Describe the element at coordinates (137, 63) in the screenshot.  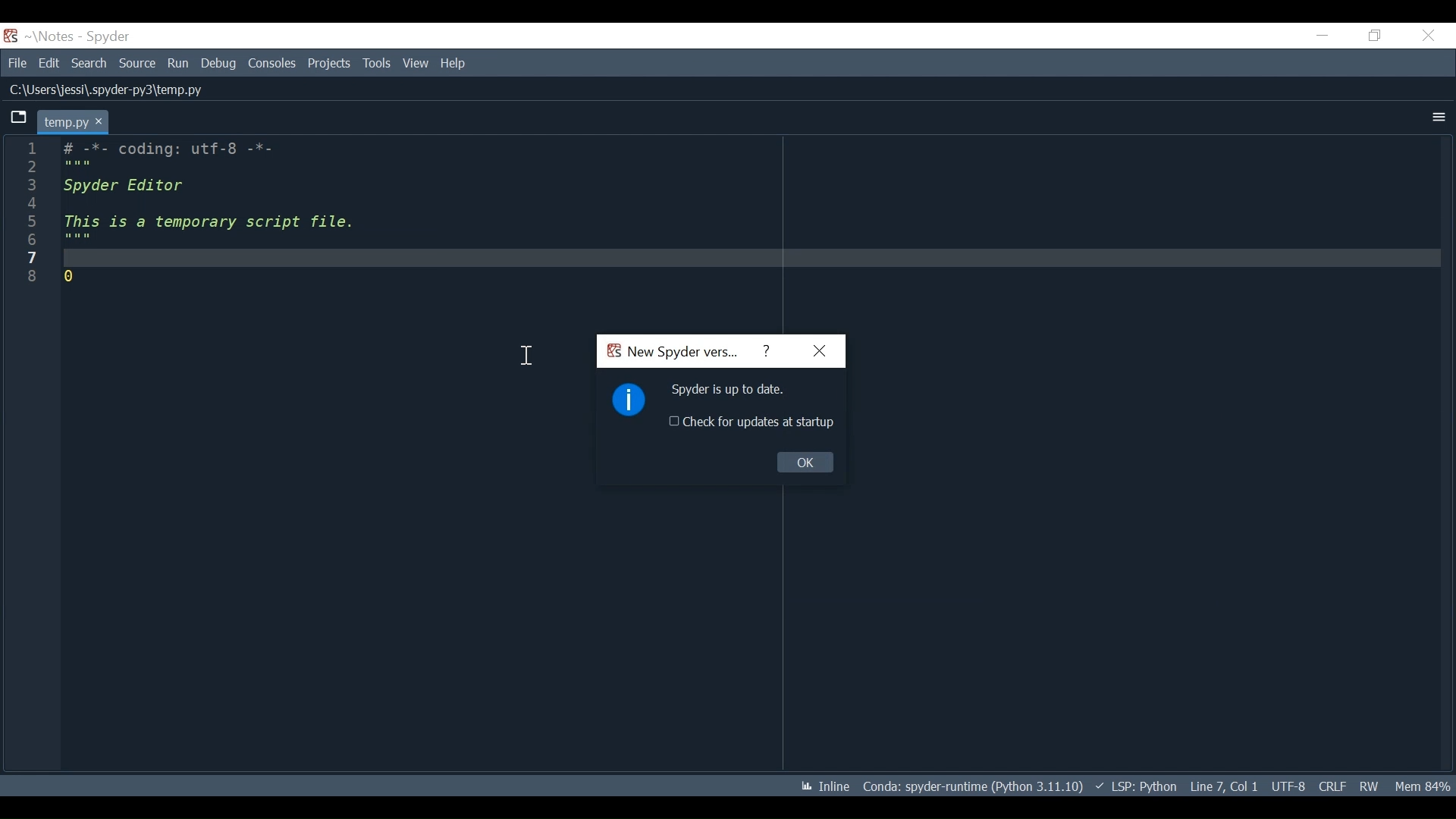
I see `Source` at that location.